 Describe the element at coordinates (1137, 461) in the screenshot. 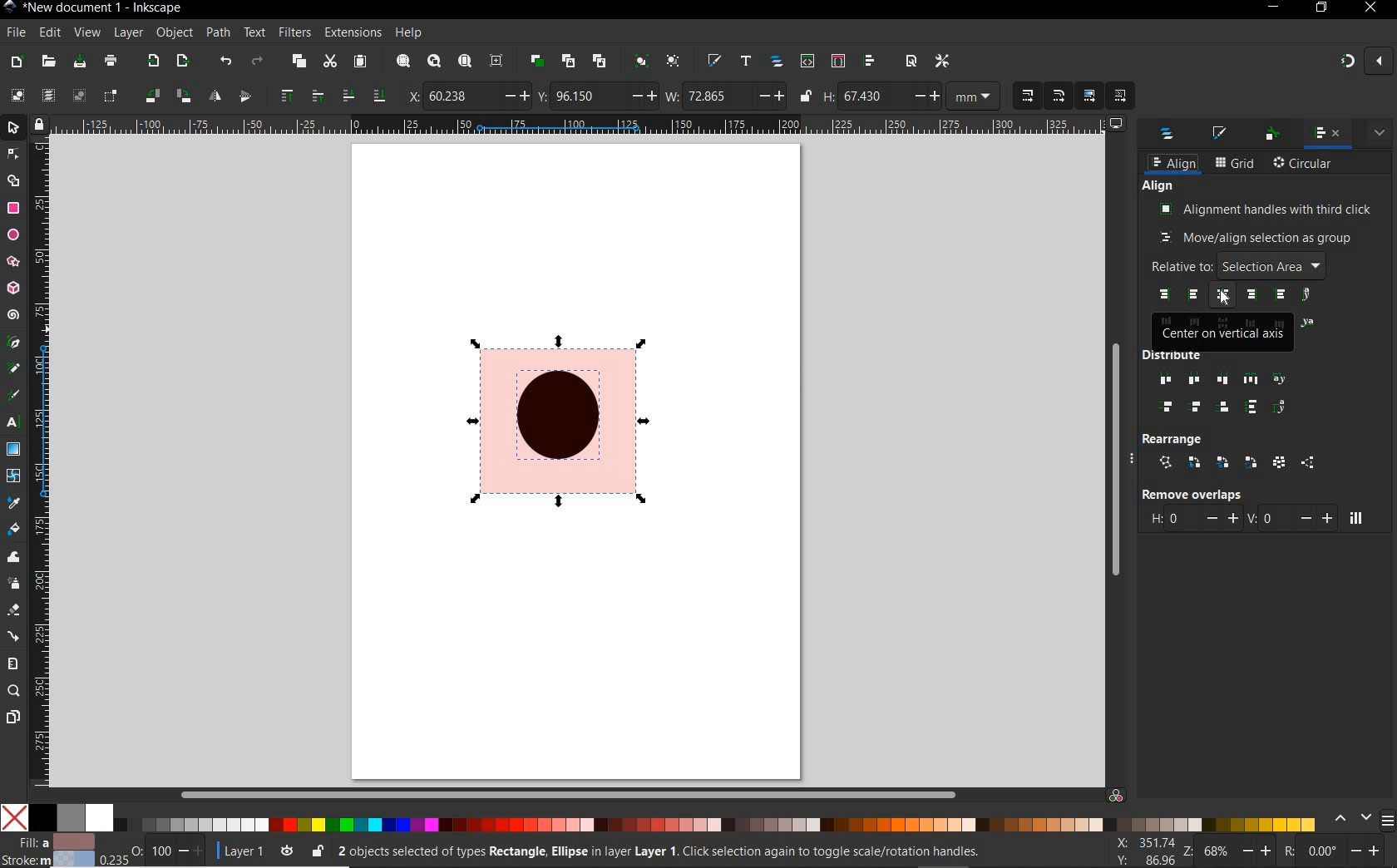

I see `hide` at that location.